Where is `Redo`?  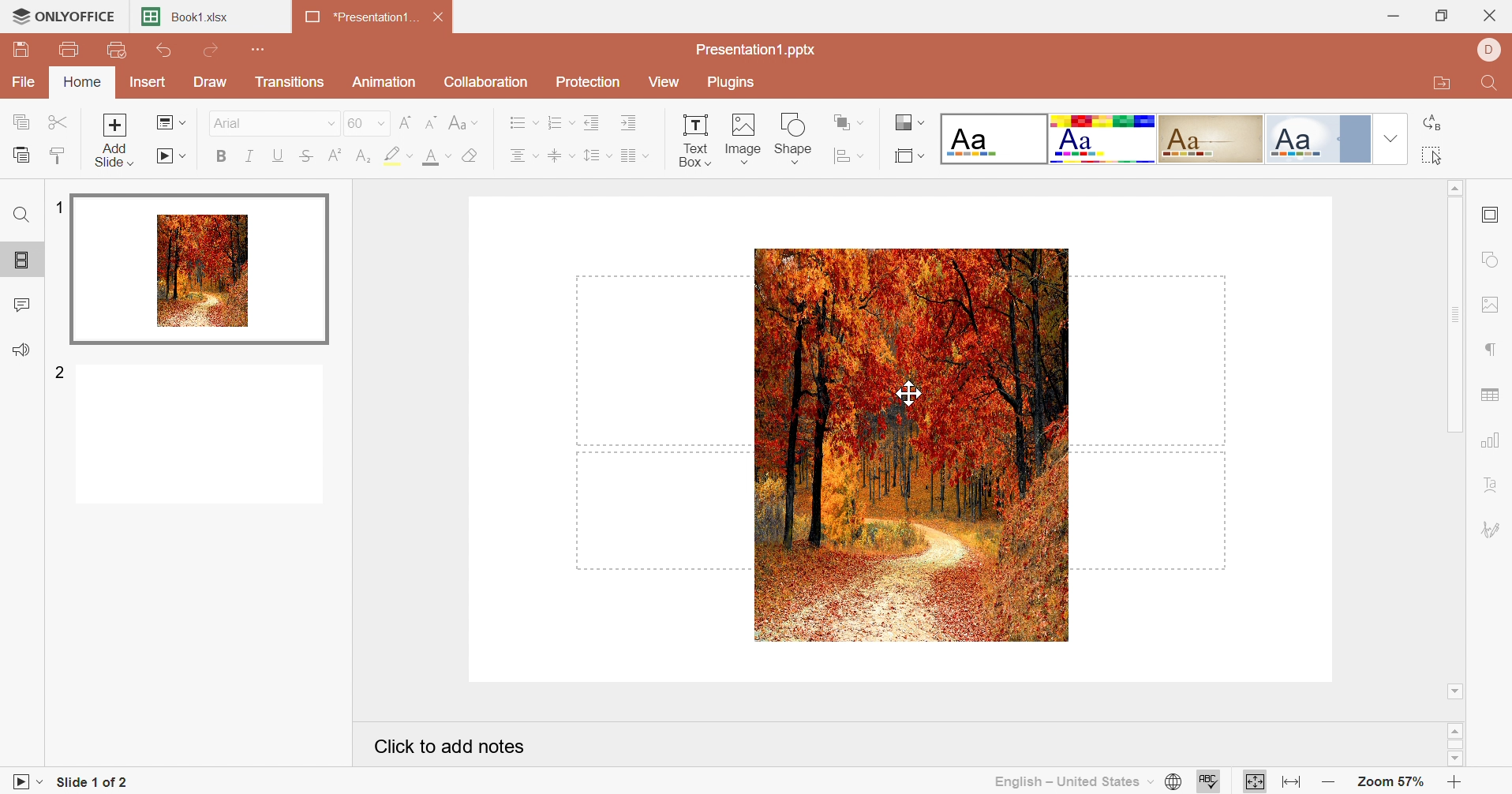 Redo is located at coordinates (213, 51).